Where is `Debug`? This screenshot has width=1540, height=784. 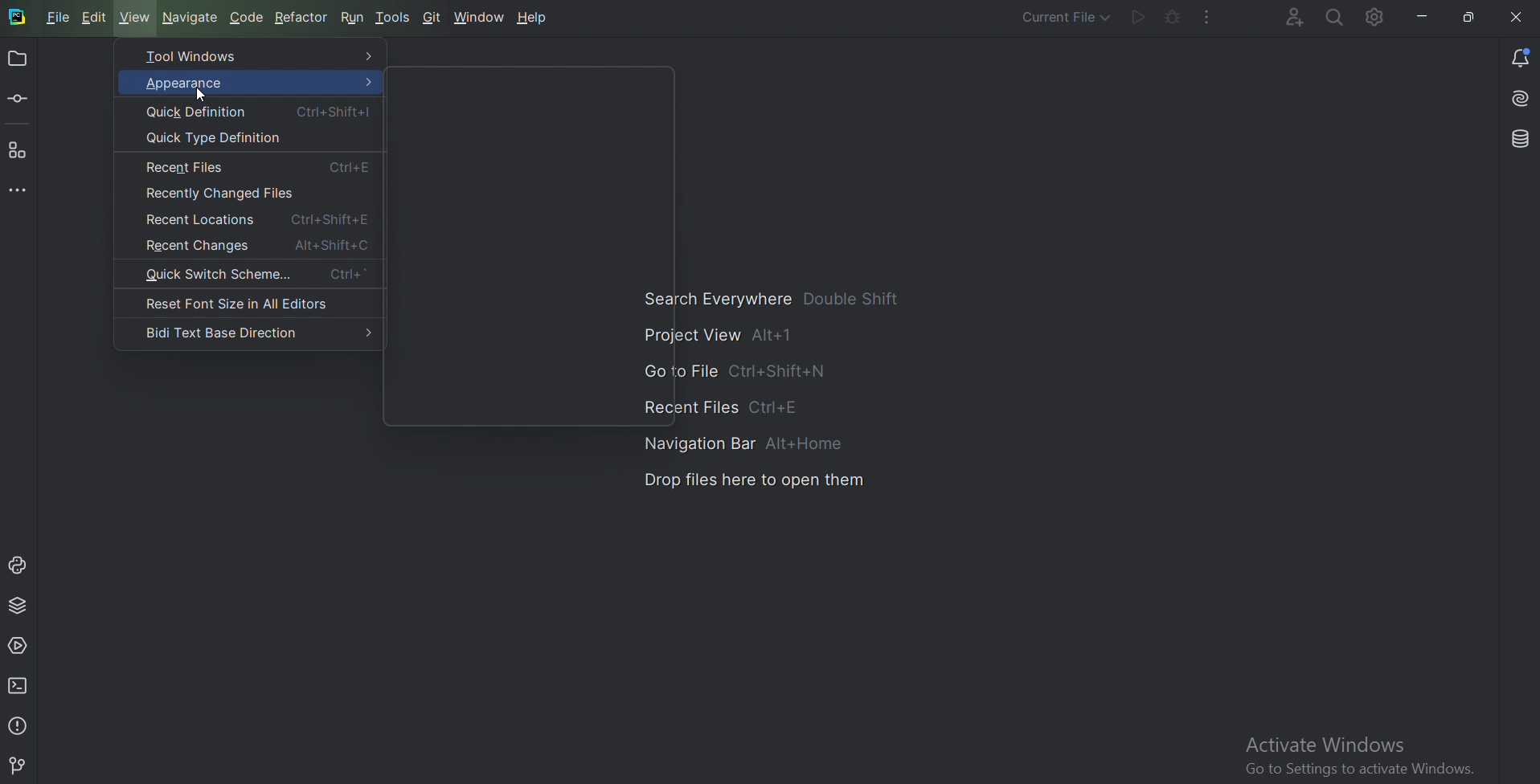
Debug is located at coordinates (1173, 16).